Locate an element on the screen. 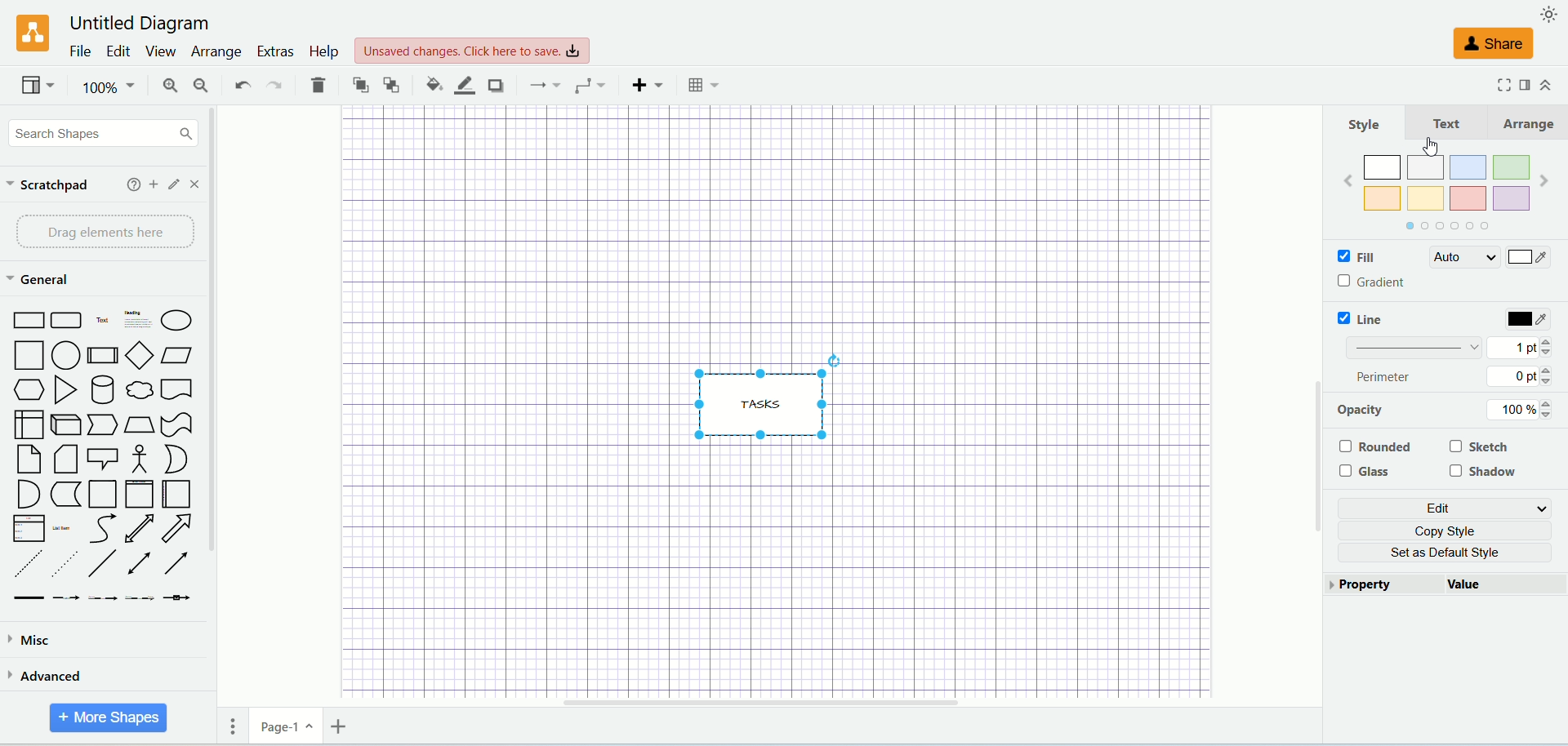 The image size is (1568, 746). 0 pt is located at coordinates (1526, 377).